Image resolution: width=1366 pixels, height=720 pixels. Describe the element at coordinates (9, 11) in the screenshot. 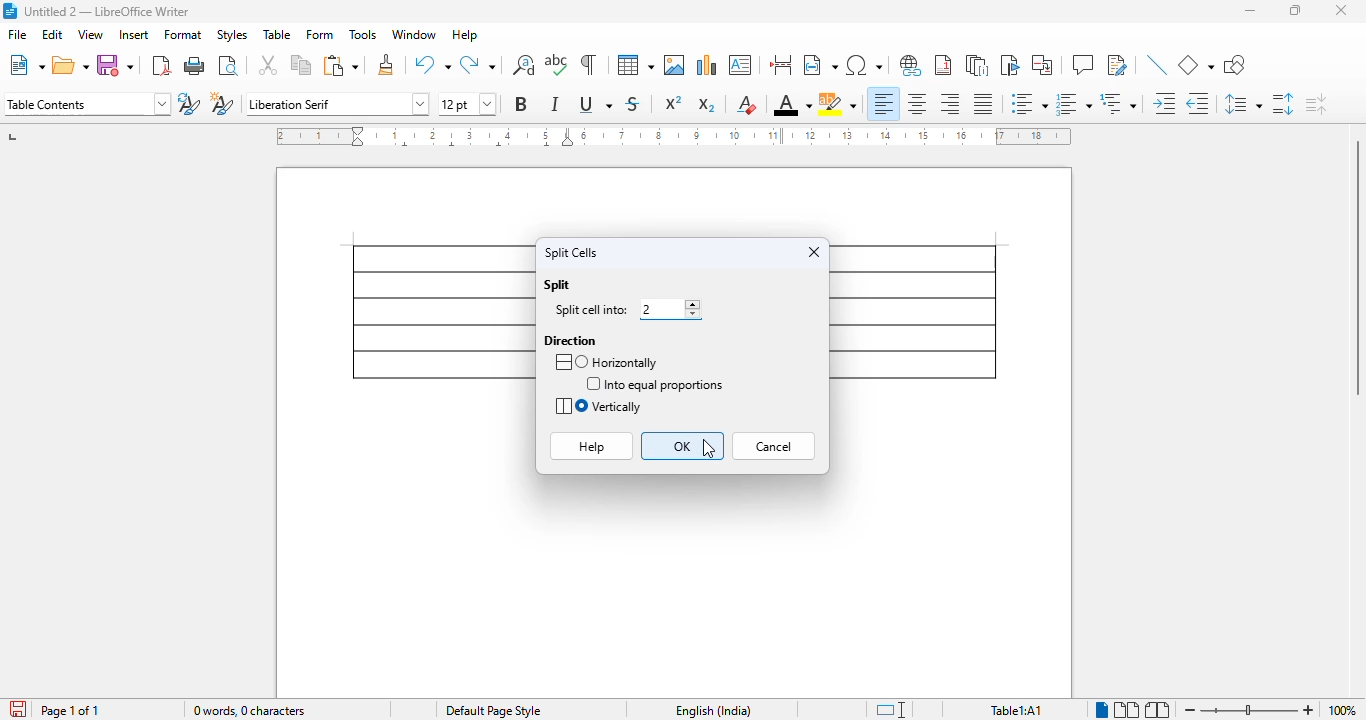

I see `logo` at that location.